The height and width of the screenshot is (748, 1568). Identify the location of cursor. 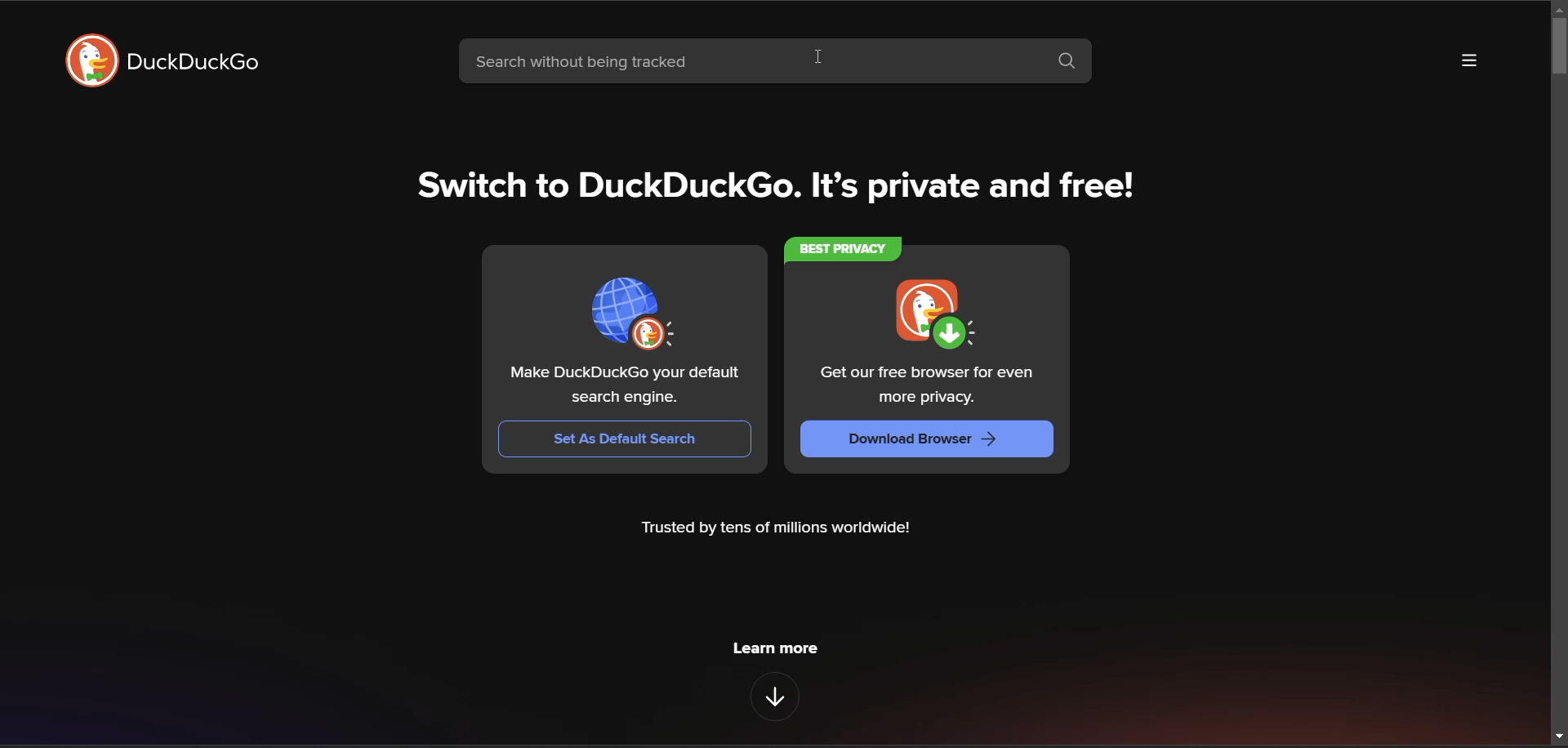
(813, 58).